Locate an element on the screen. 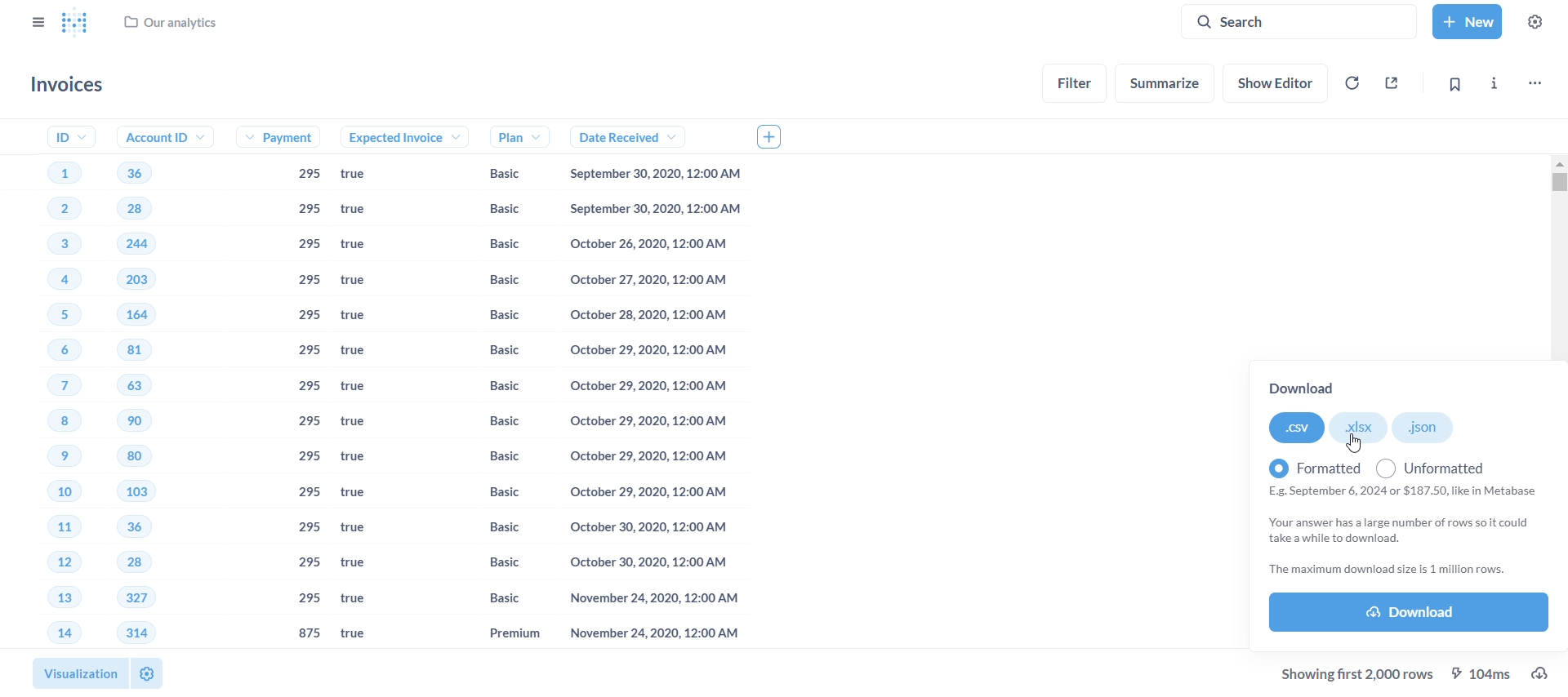 The height and width of the screenshot is (697, 1568). more options is located at coordinates (1534, 81).